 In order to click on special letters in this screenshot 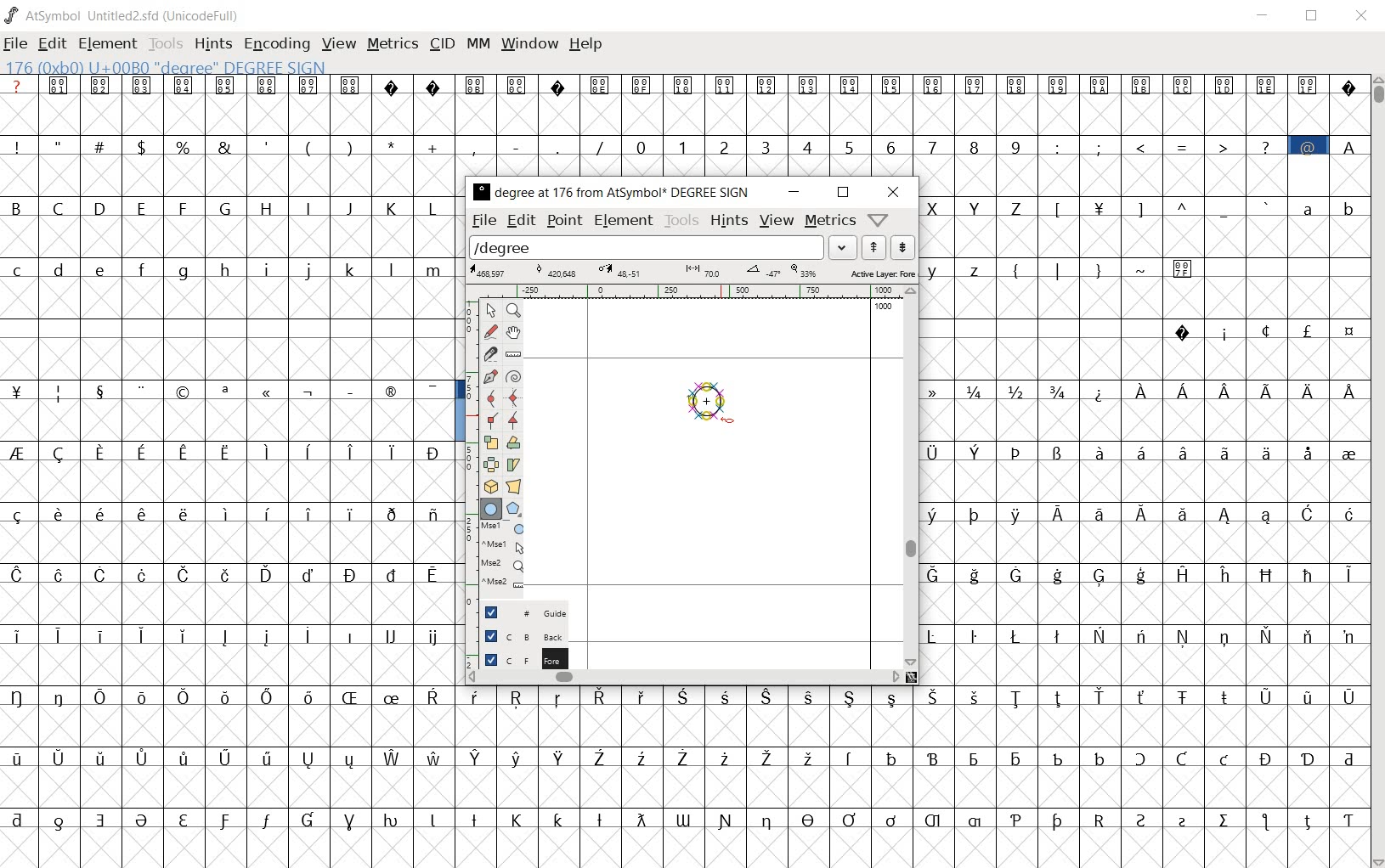, I will do `click(910, 755)`.